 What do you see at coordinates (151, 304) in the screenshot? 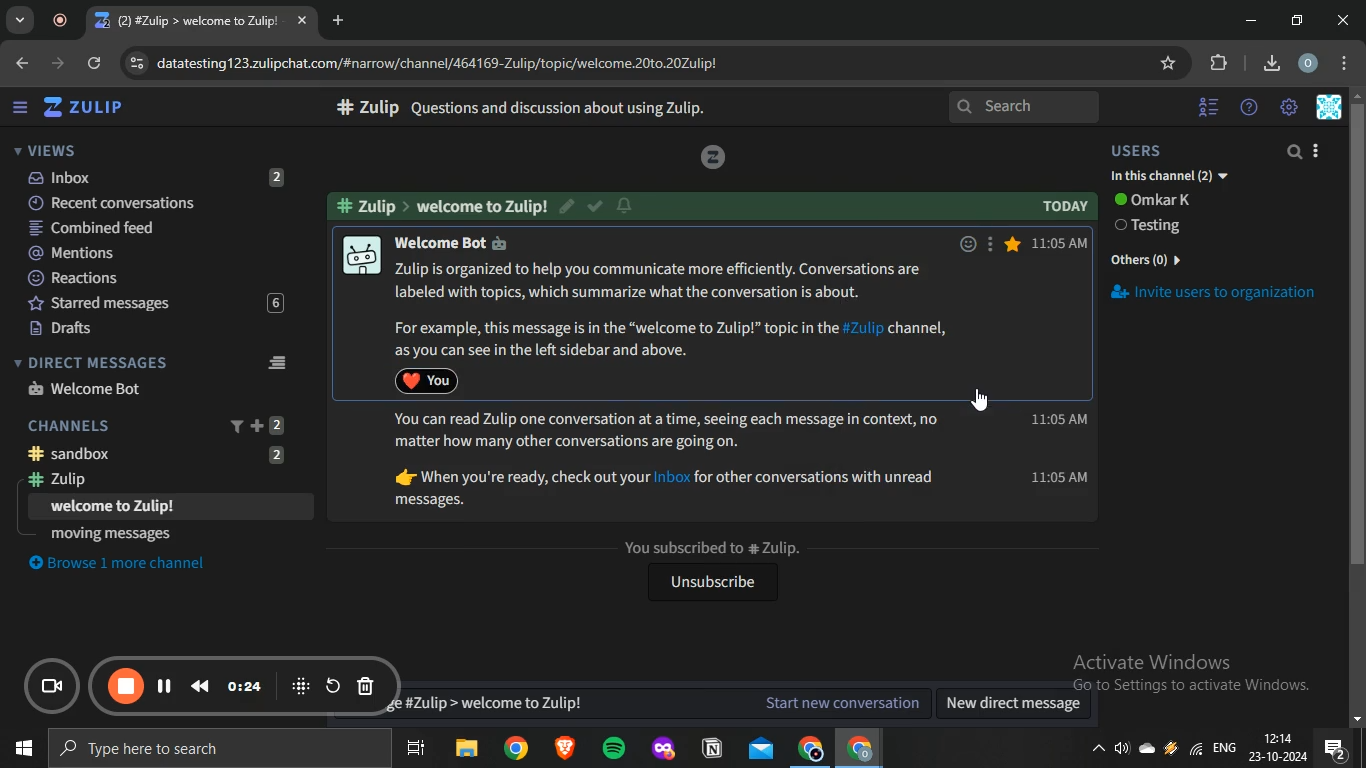
I see `starred messages` at bounding box center [151, 304].